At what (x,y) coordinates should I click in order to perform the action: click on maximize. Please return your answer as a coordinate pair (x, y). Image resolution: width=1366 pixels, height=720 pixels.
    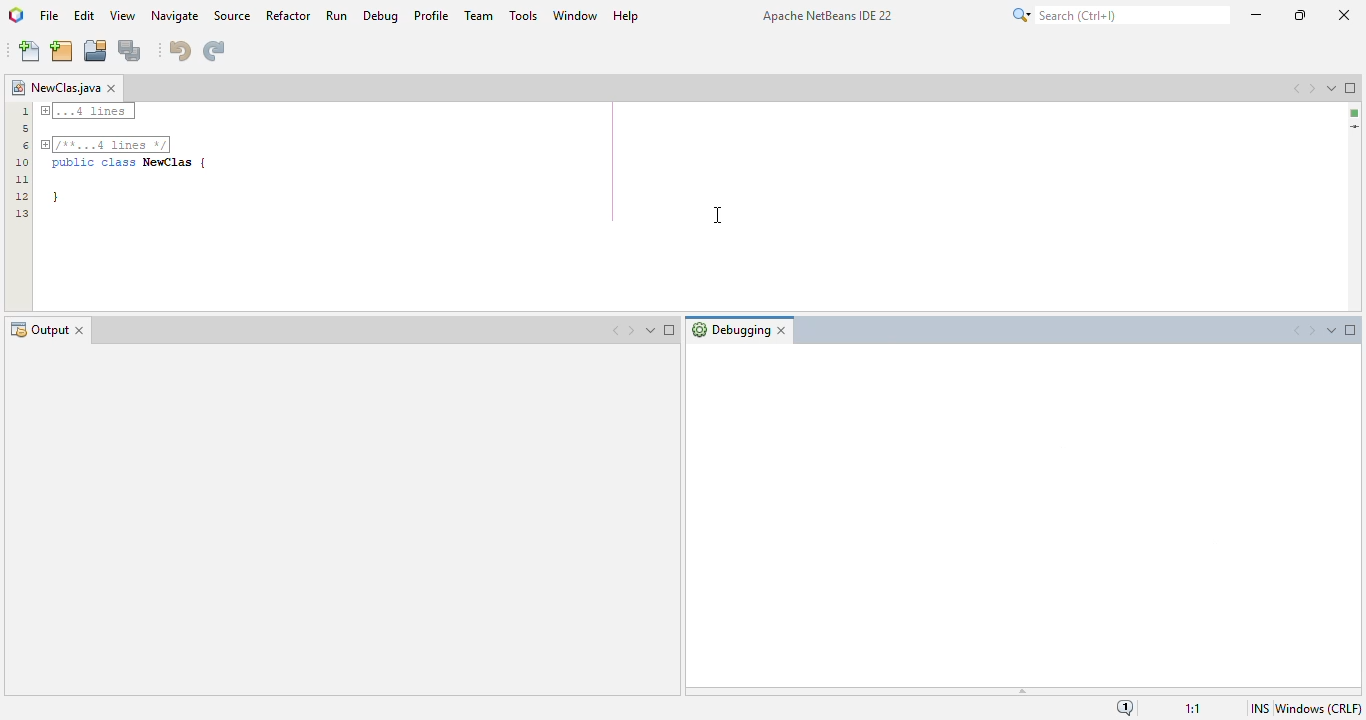
    Looking at the image, I should click on (1300, 15).